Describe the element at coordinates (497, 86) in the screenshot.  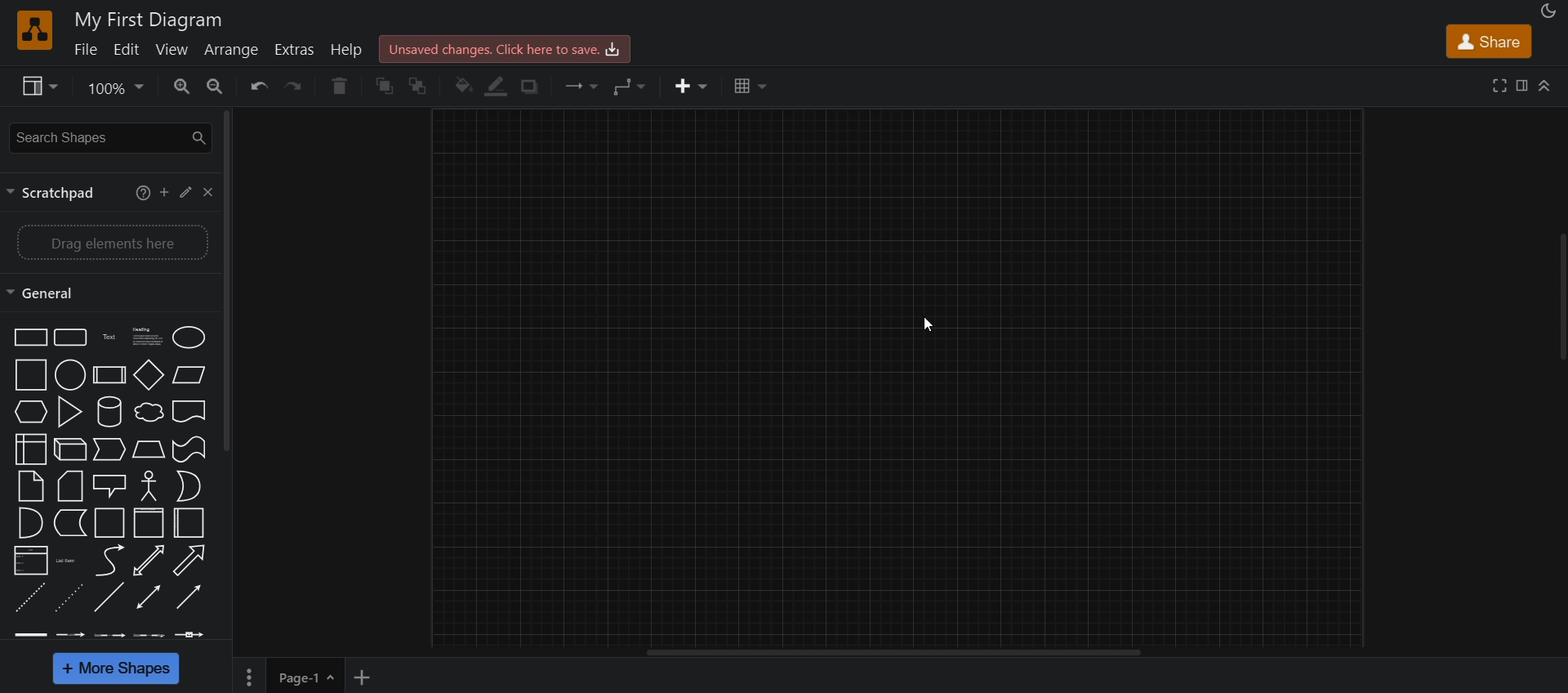
I see `line color` at that location.